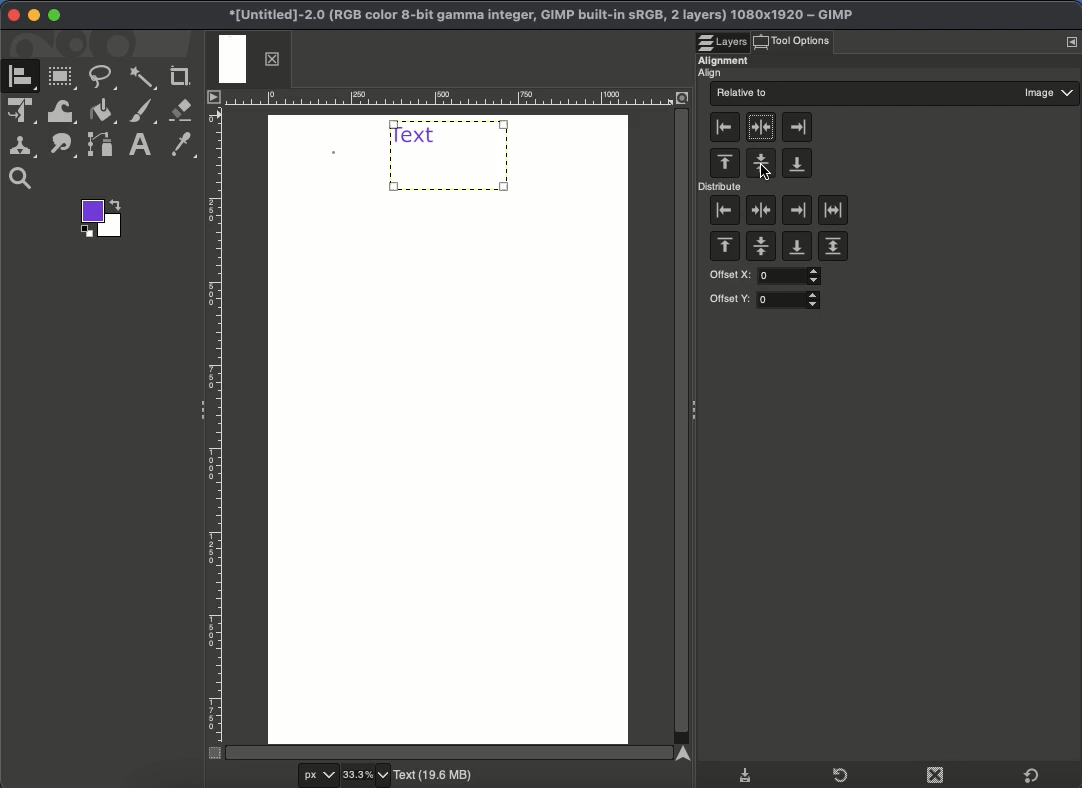 The image size is (1082, 788). Describe the element at coordinates (451, 155) in the screenshot. I see `Aligned ` at that location.